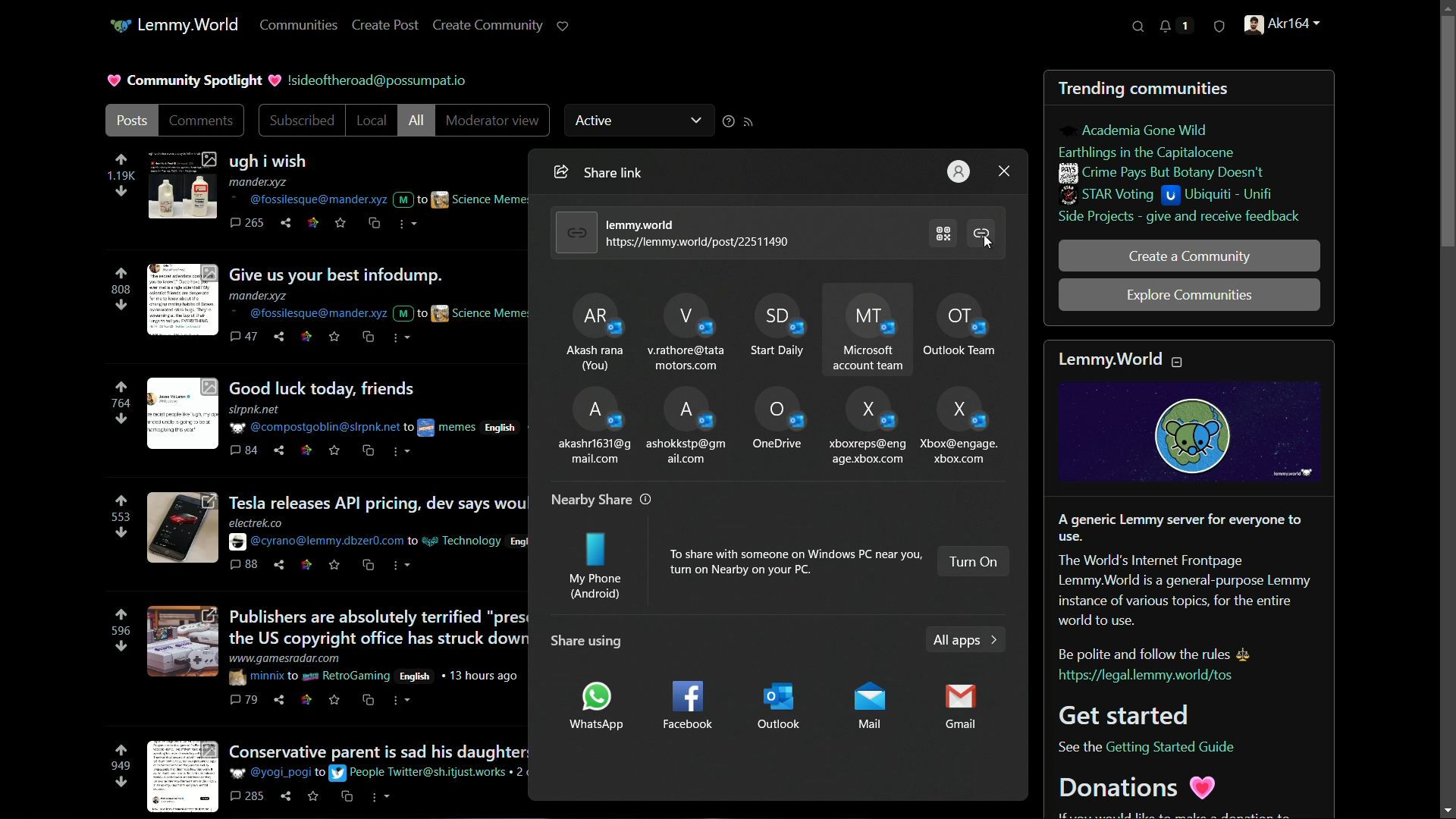  Describe the element at coordinates (944, 232) in the screenshot. I see `generate qr code` at that location.